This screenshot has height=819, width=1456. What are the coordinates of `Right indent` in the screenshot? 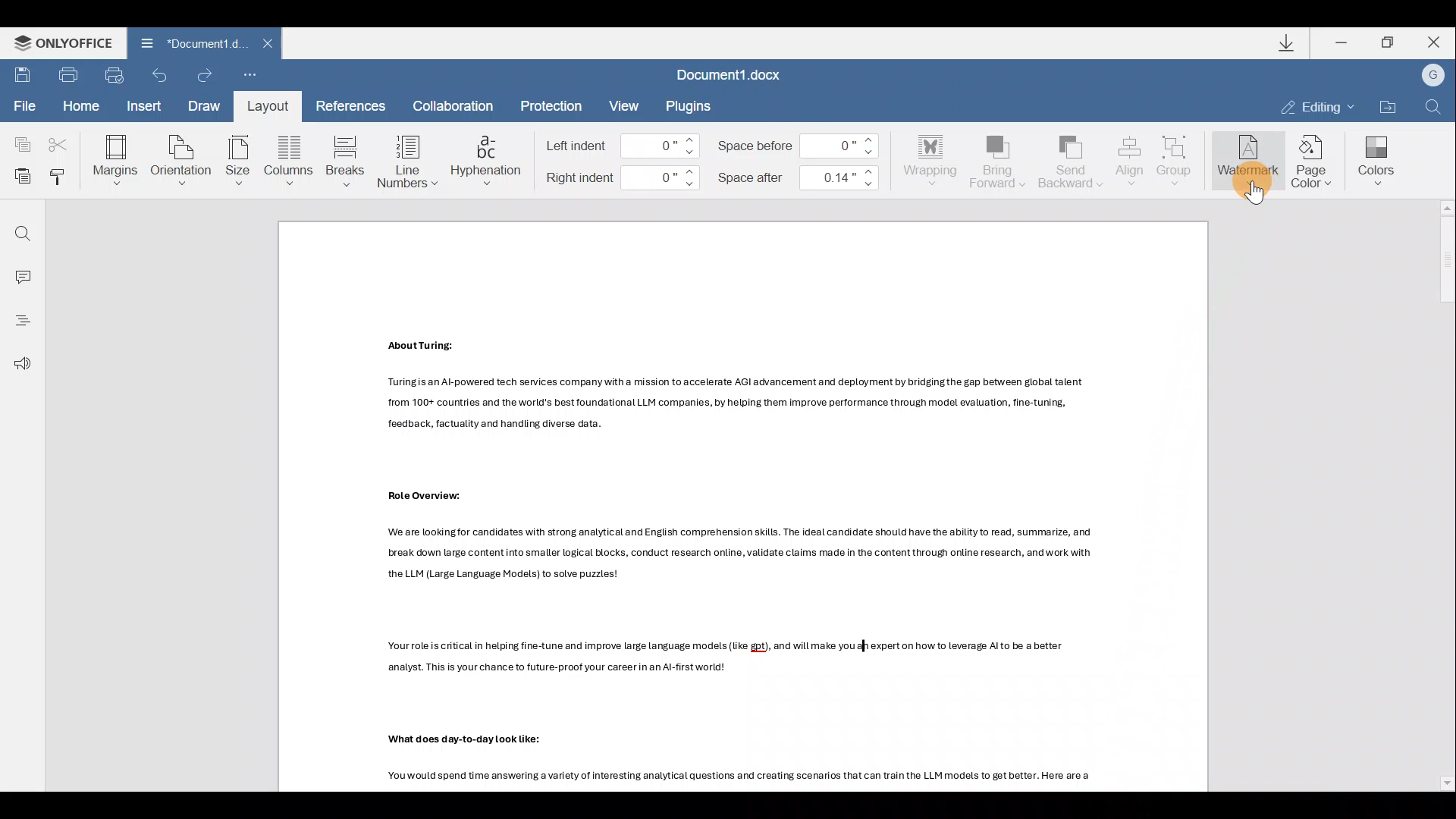 It's located at (626, 180).